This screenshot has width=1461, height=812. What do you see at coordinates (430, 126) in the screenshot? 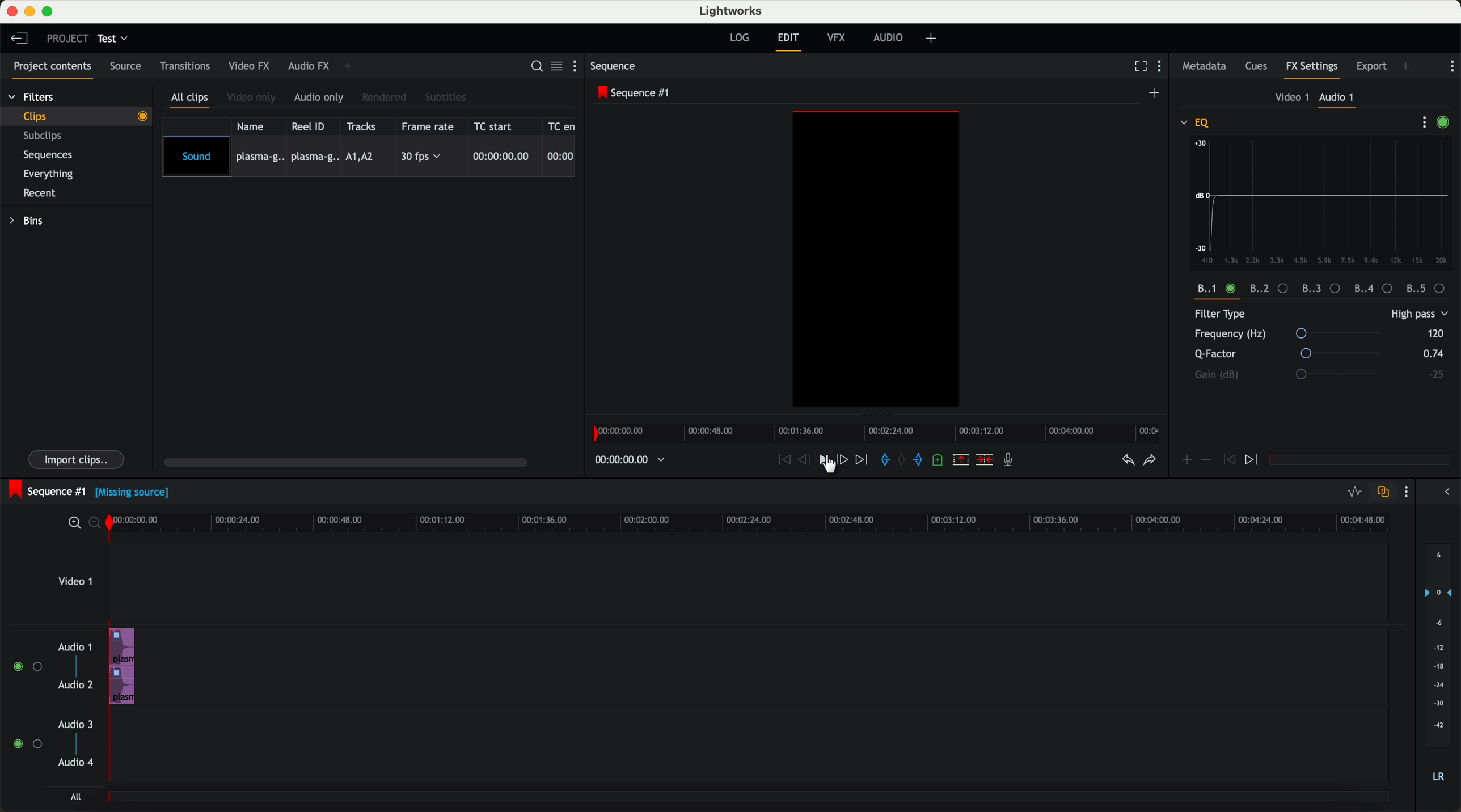
I see `frame rate` at bounding box center [430, 126].